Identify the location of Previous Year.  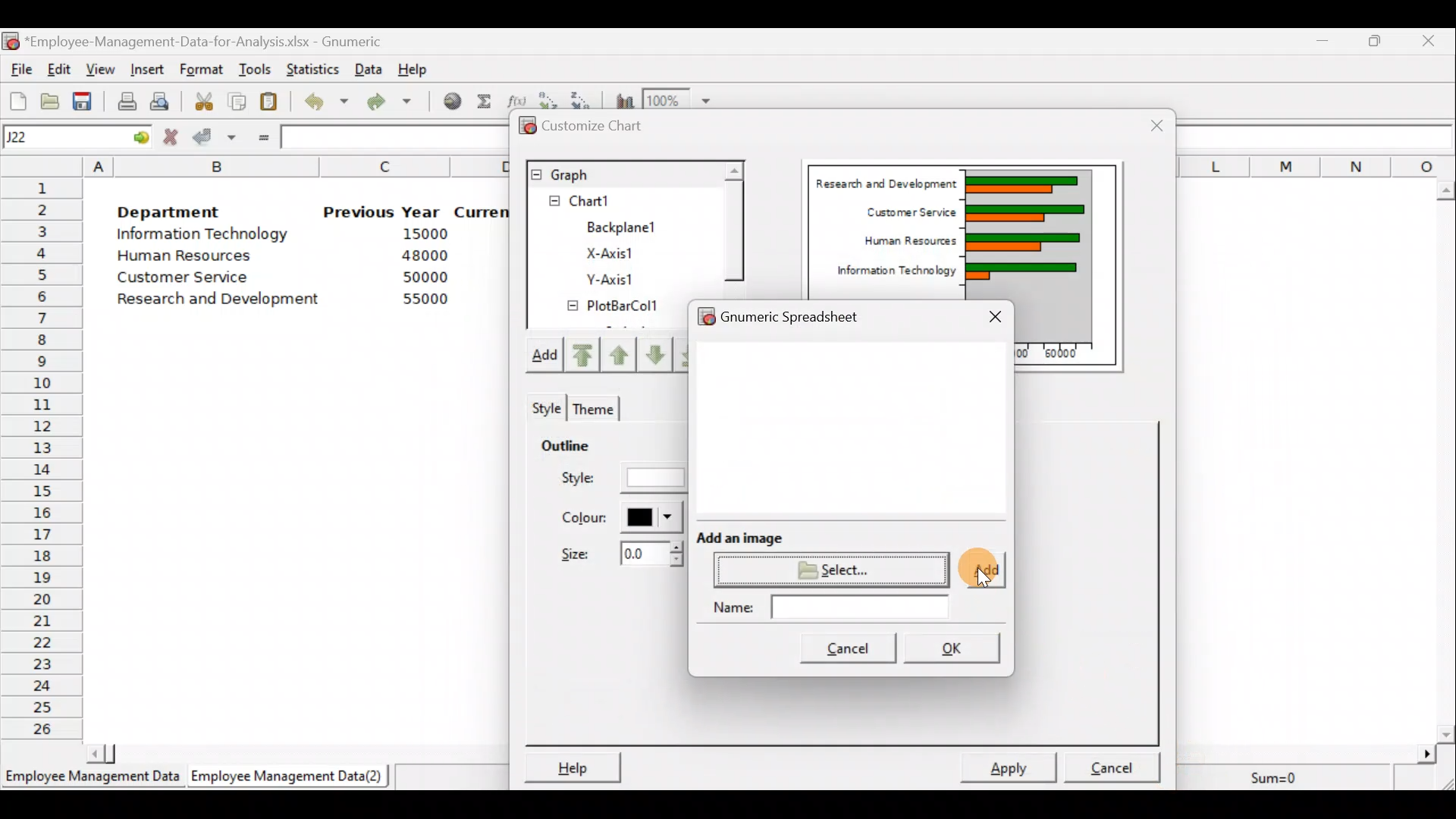
(383, 211).